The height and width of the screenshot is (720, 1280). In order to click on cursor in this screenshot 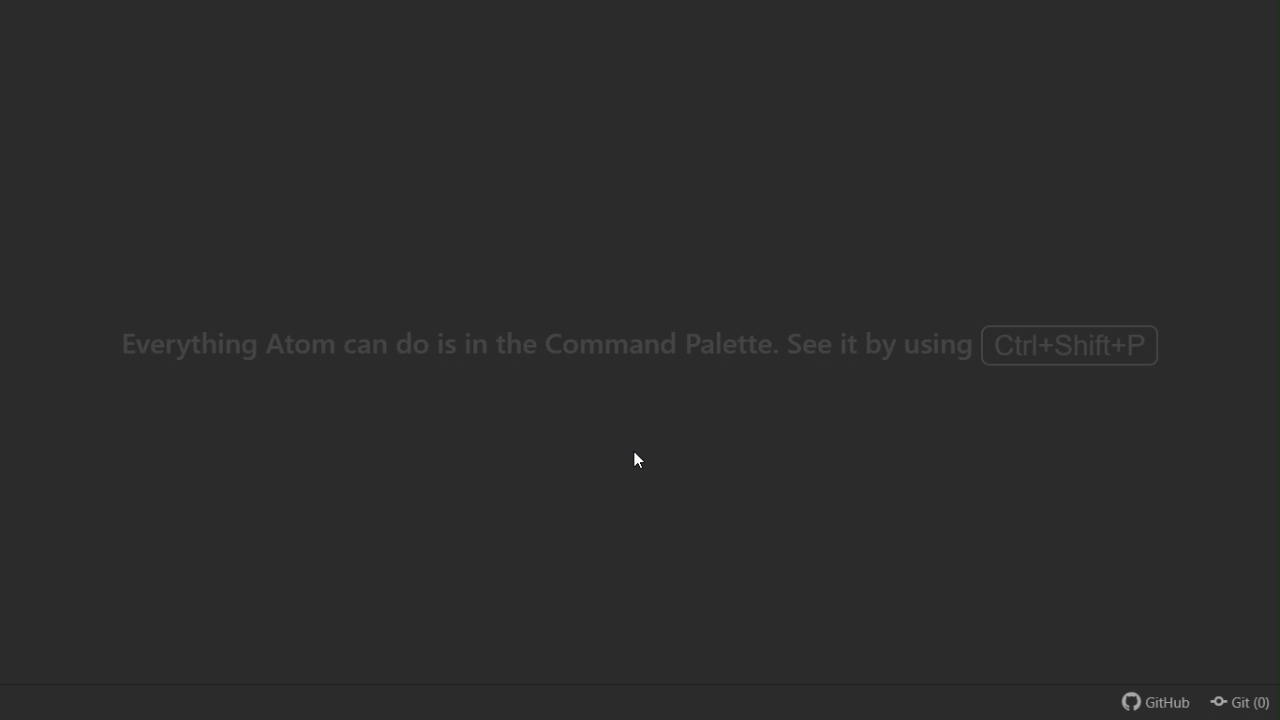, I will do `click(631, 460)`.